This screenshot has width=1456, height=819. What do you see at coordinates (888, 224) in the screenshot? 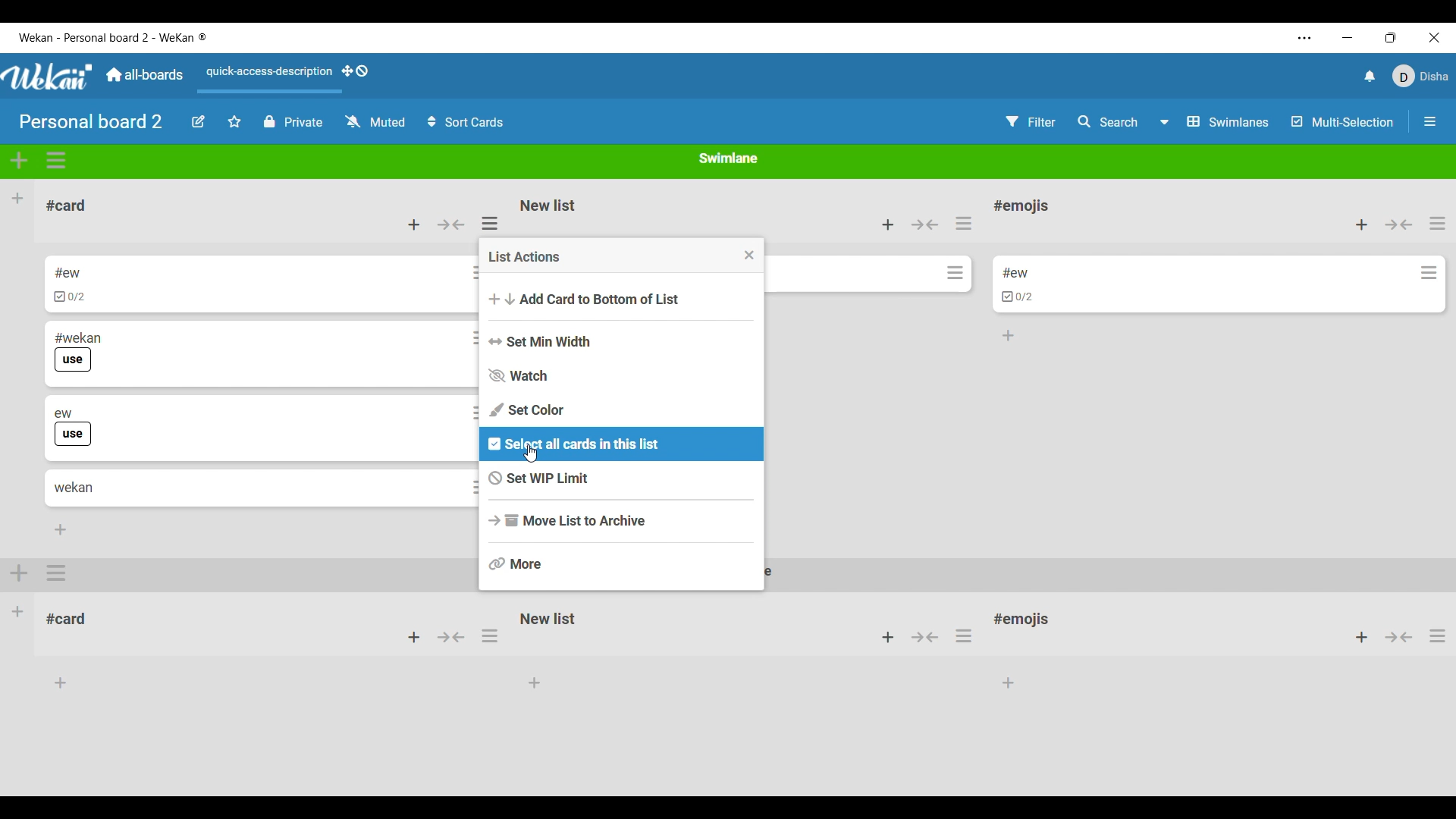
I see `Add card to top of this list` at bounding box center [888, 224].